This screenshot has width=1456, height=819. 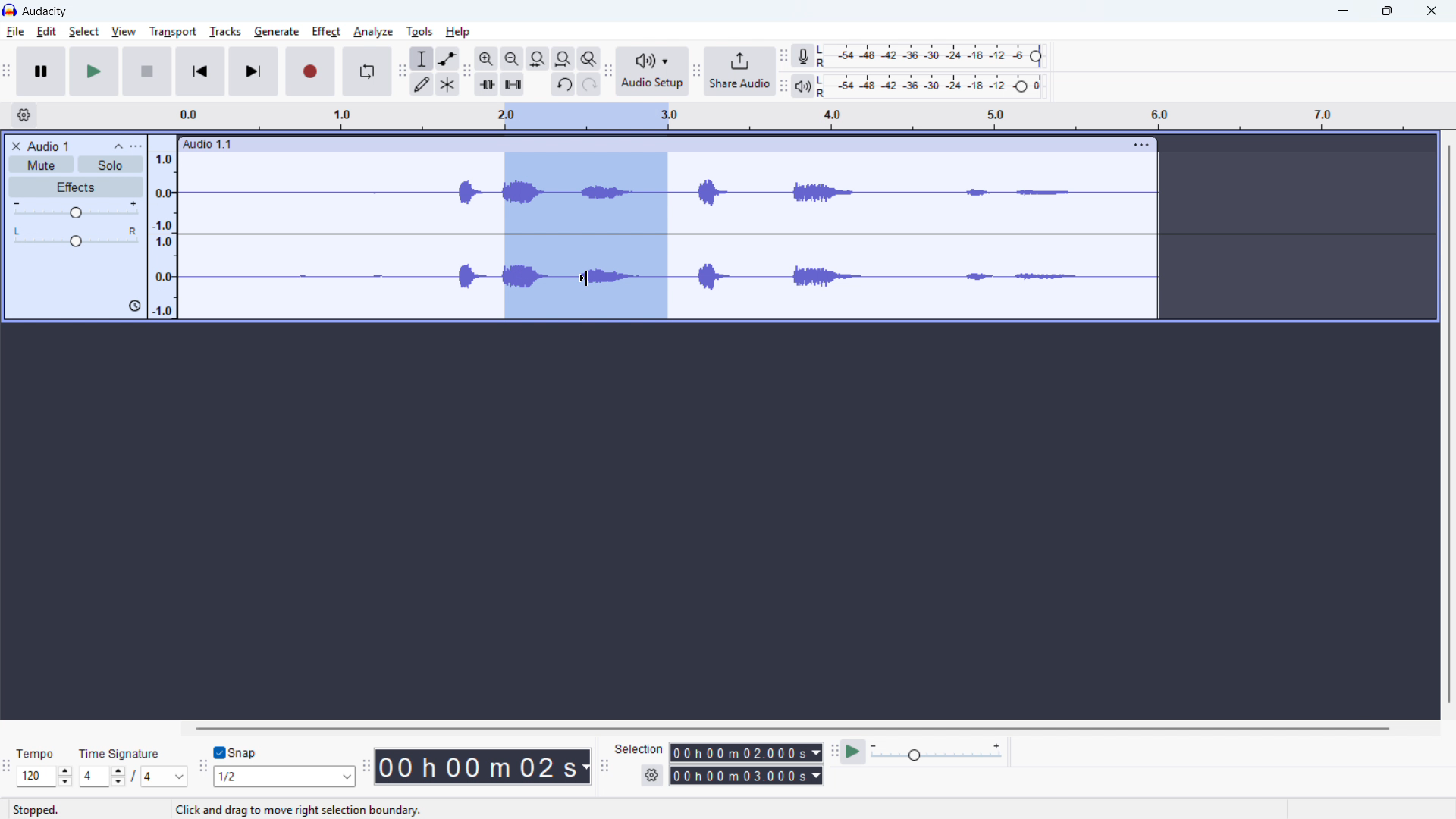 What do you see at coordinates (563, 84) in the screenshot?
I see `Undo` at bounding box center [563, 84].